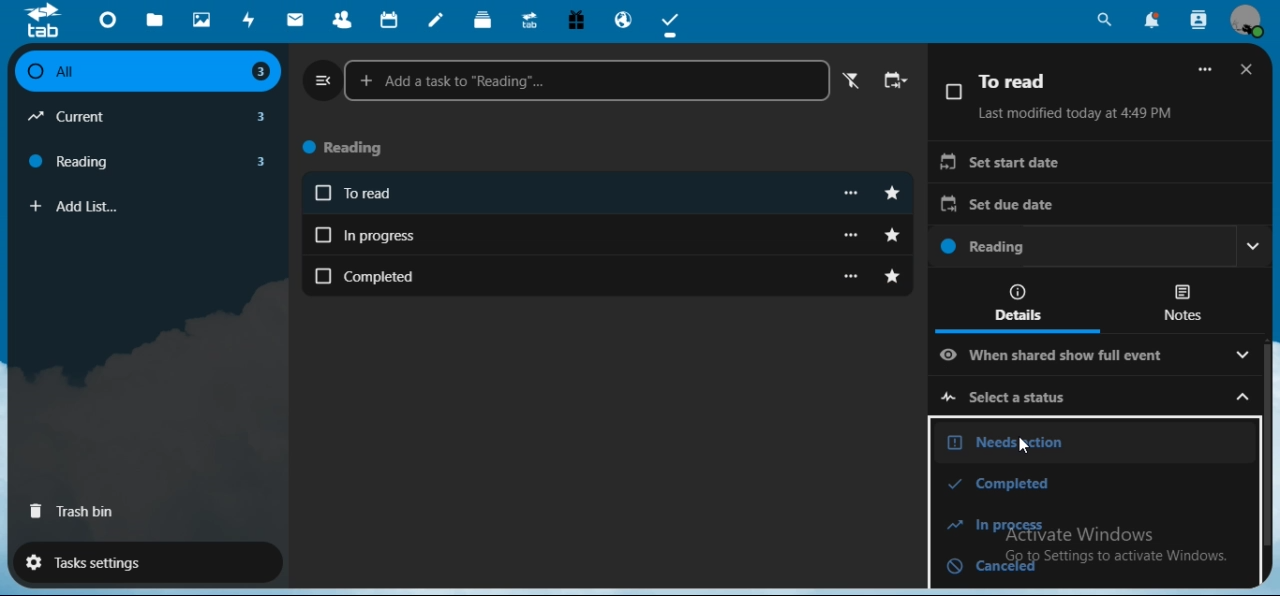 The image size is (1280, 596). What do you see at coordinates (848, 81) in the screenshot?
I see `active filter` at bounding box center [848, 81].